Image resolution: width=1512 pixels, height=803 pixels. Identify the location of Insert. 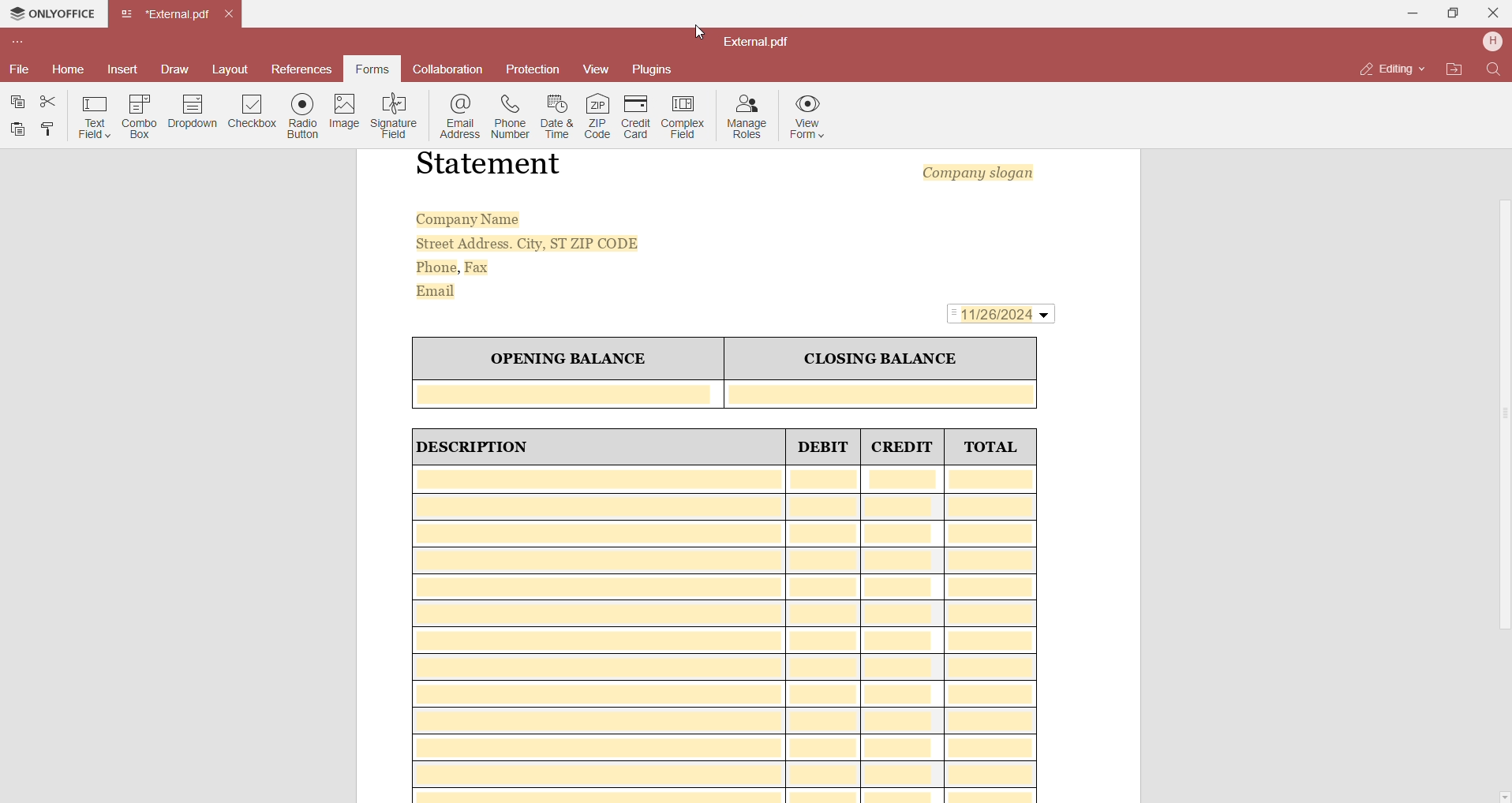
(122, 68).